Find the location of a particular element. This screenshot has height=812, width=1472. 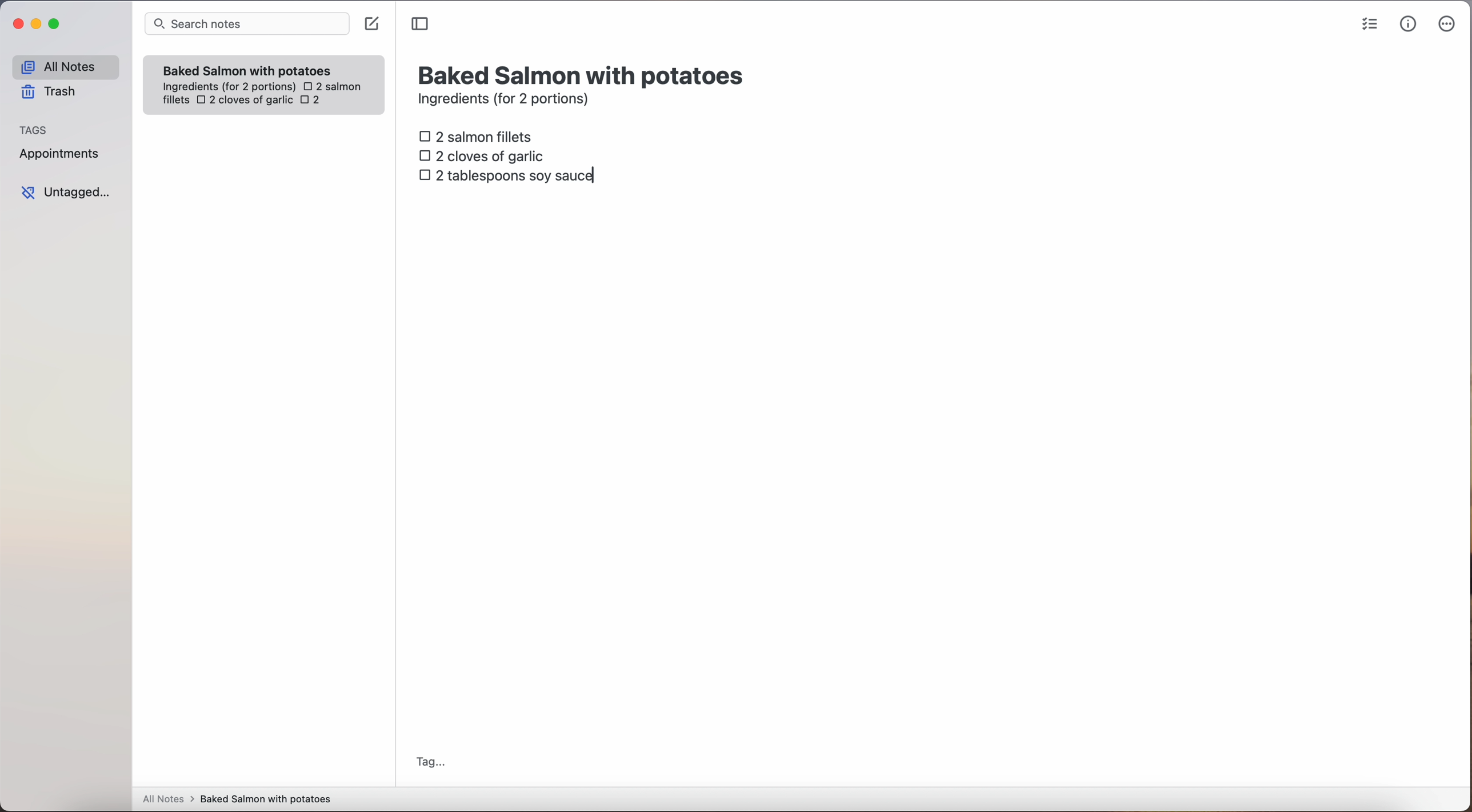

appointments tag is located at coordinates (61, 151).